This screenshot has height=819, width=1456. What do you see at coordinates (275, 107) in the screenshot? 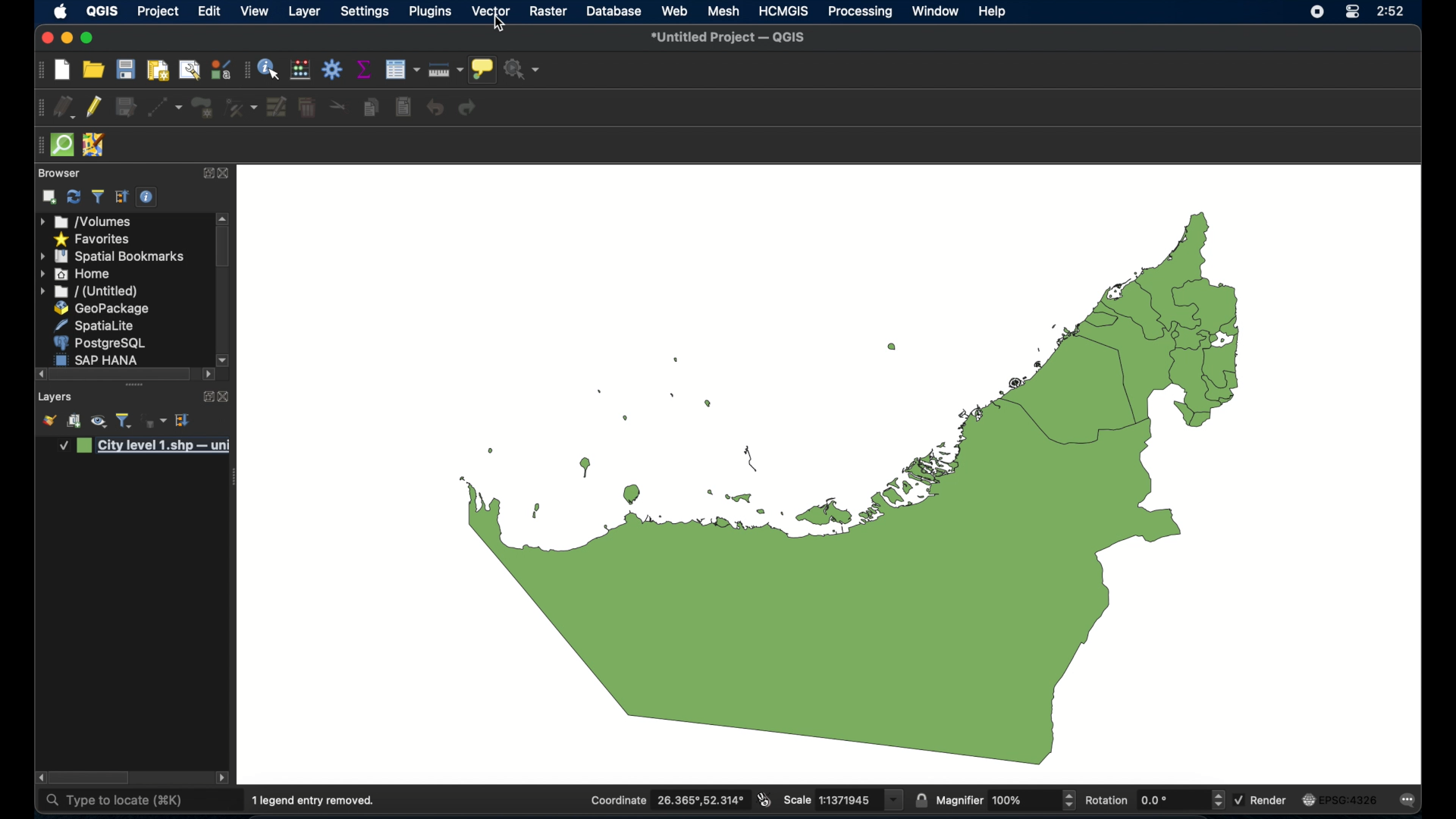
I see `modify attributes` at bounding box center [275, 107].